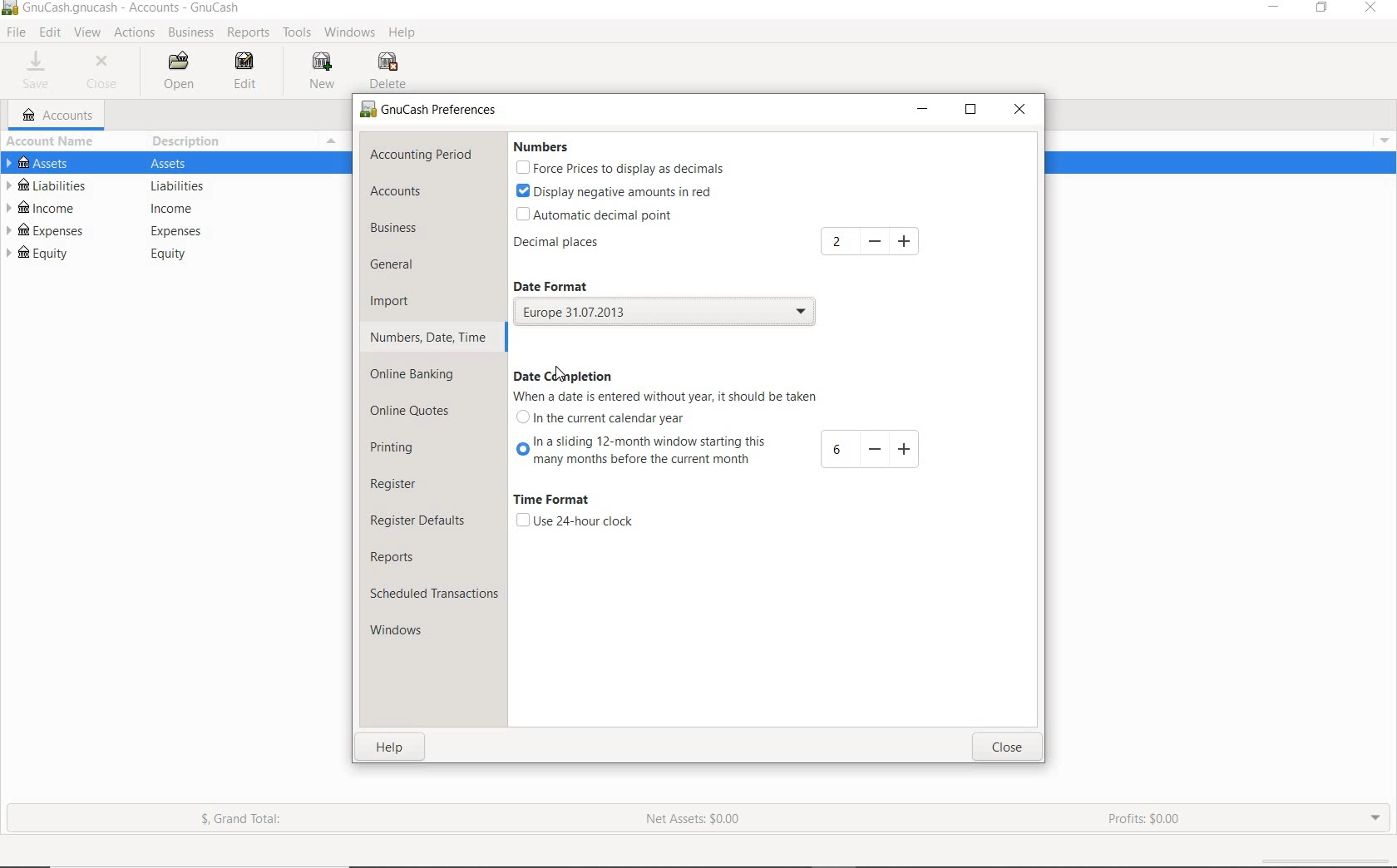 The image size is (1397, 868). Describe the element at coordinates (403, 632) in the screenshot. I see `windows` at that location.